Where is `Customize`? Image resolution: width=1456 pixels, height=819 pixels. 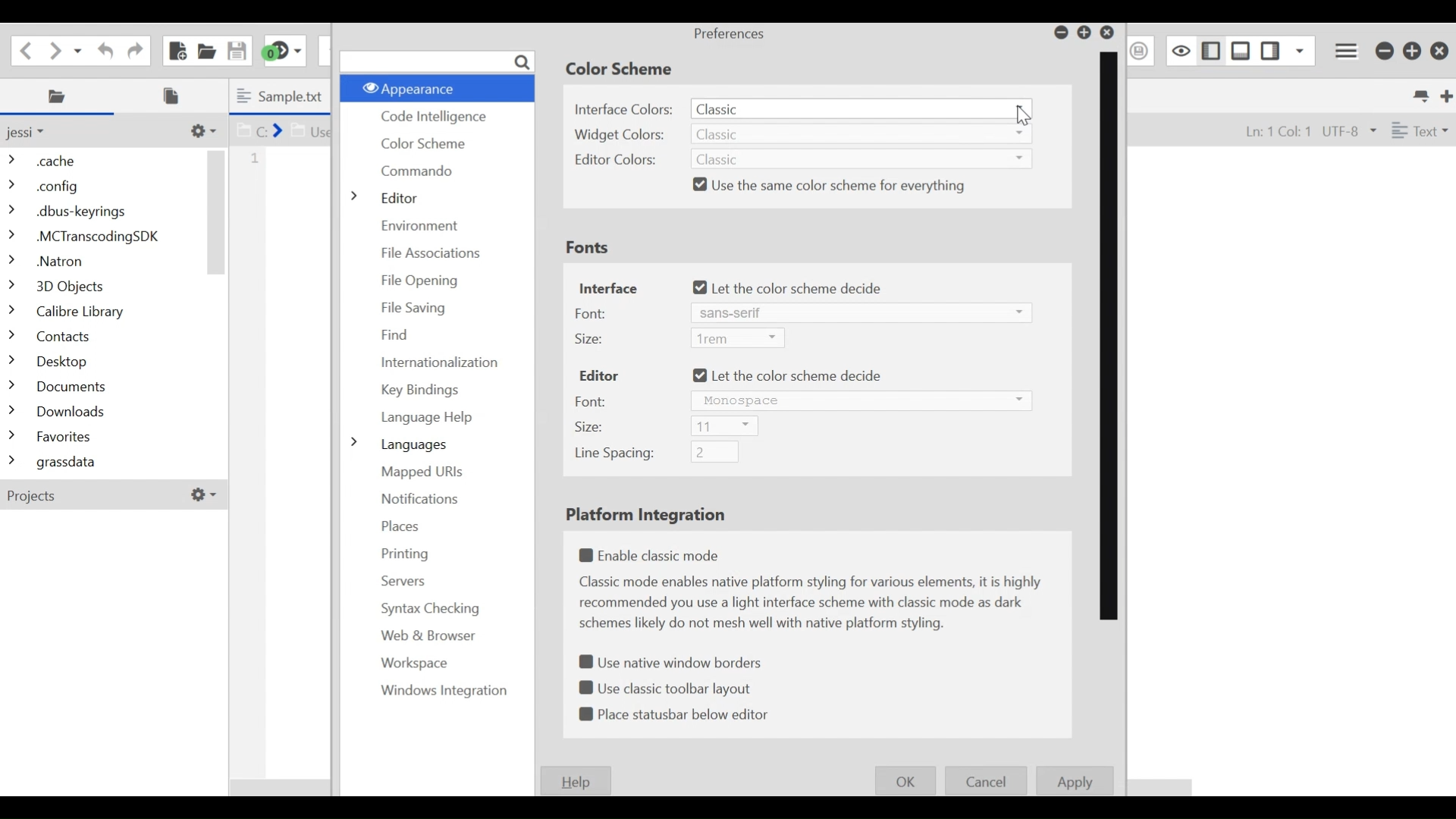 Customize is located at coordinates (201, 130).